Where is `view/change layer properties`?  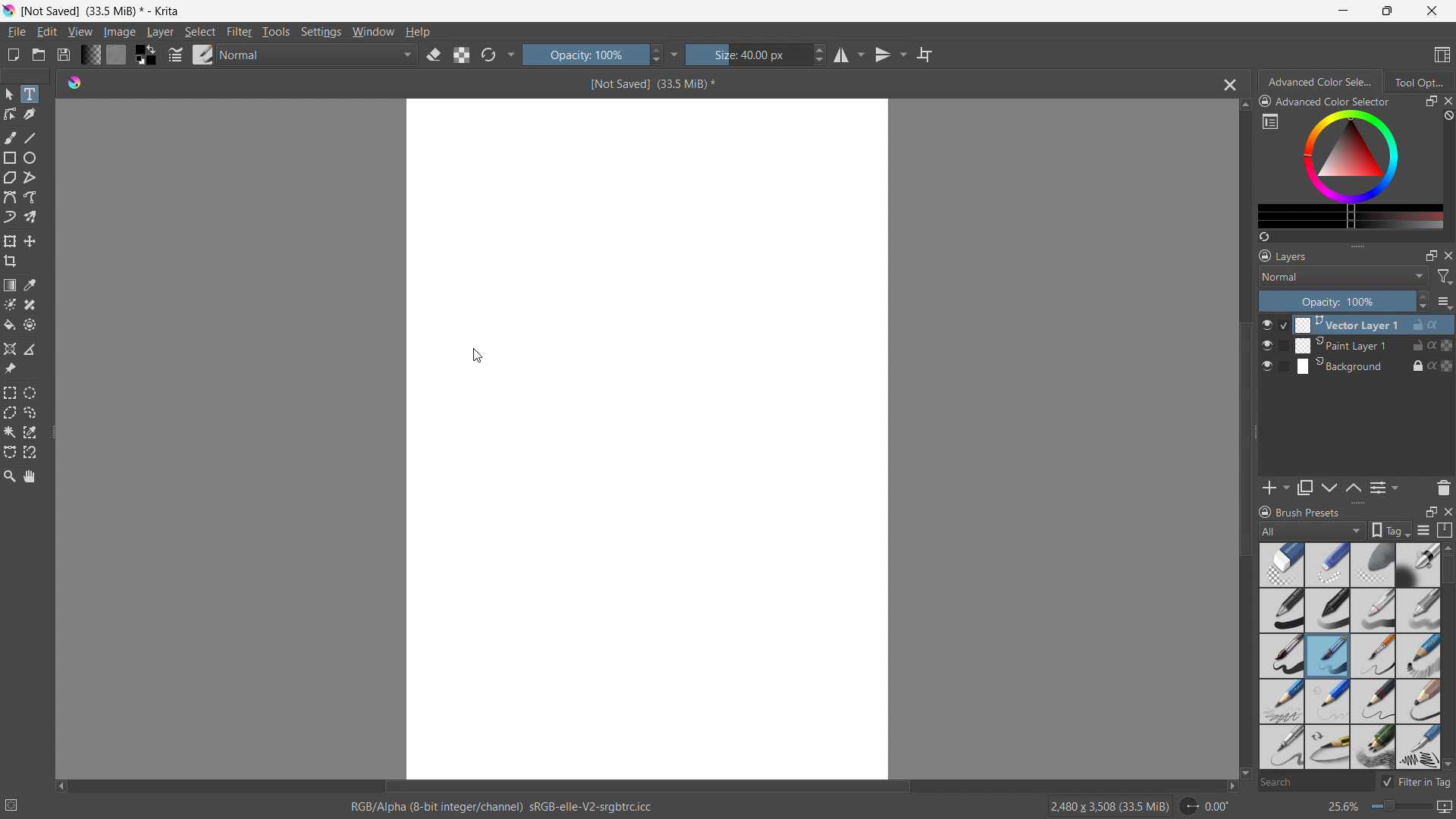
view/change layer properties is located at coordinates (1383, 487).